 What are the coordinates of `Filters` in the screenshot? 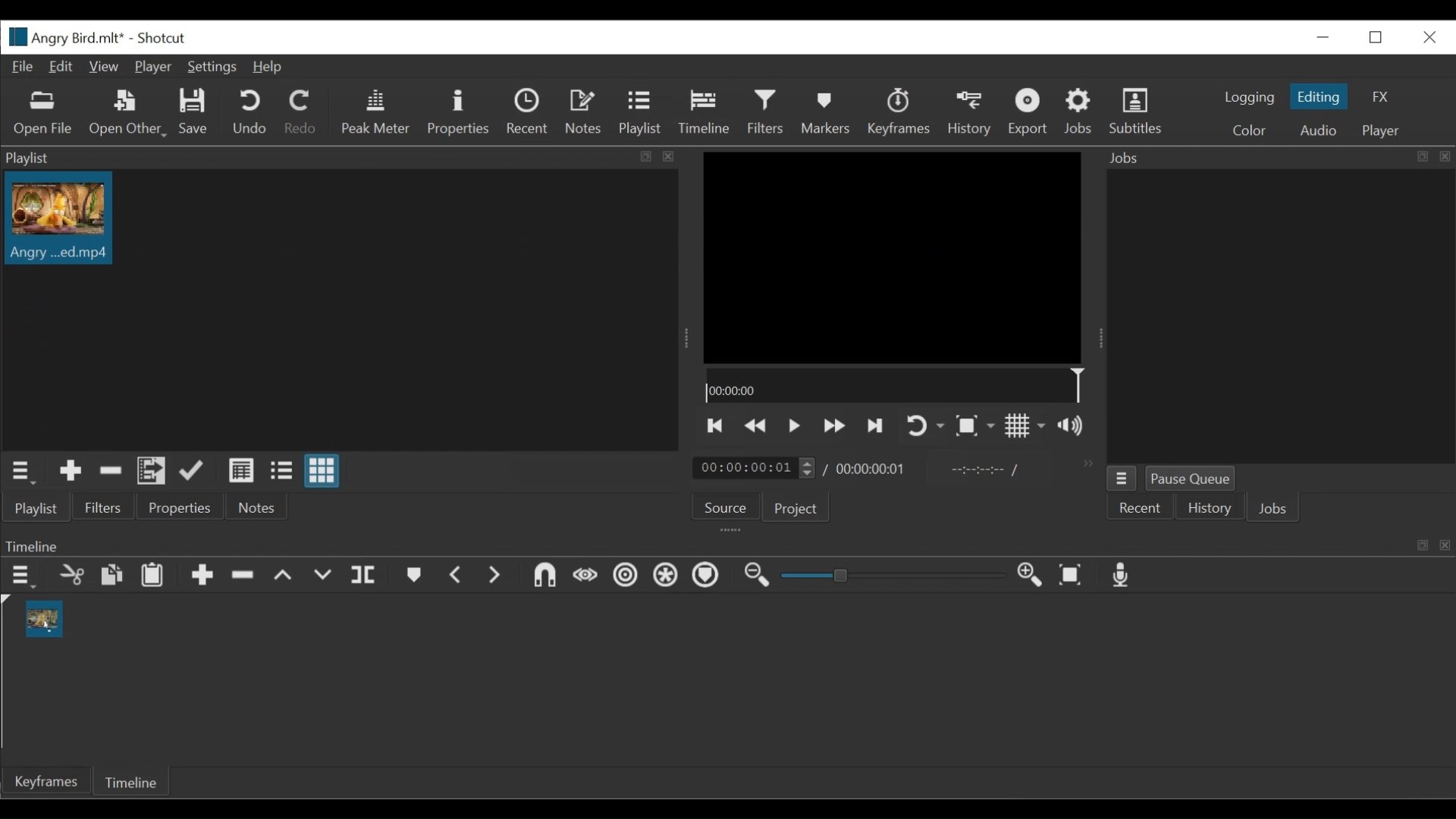 It's located at (767, 112).